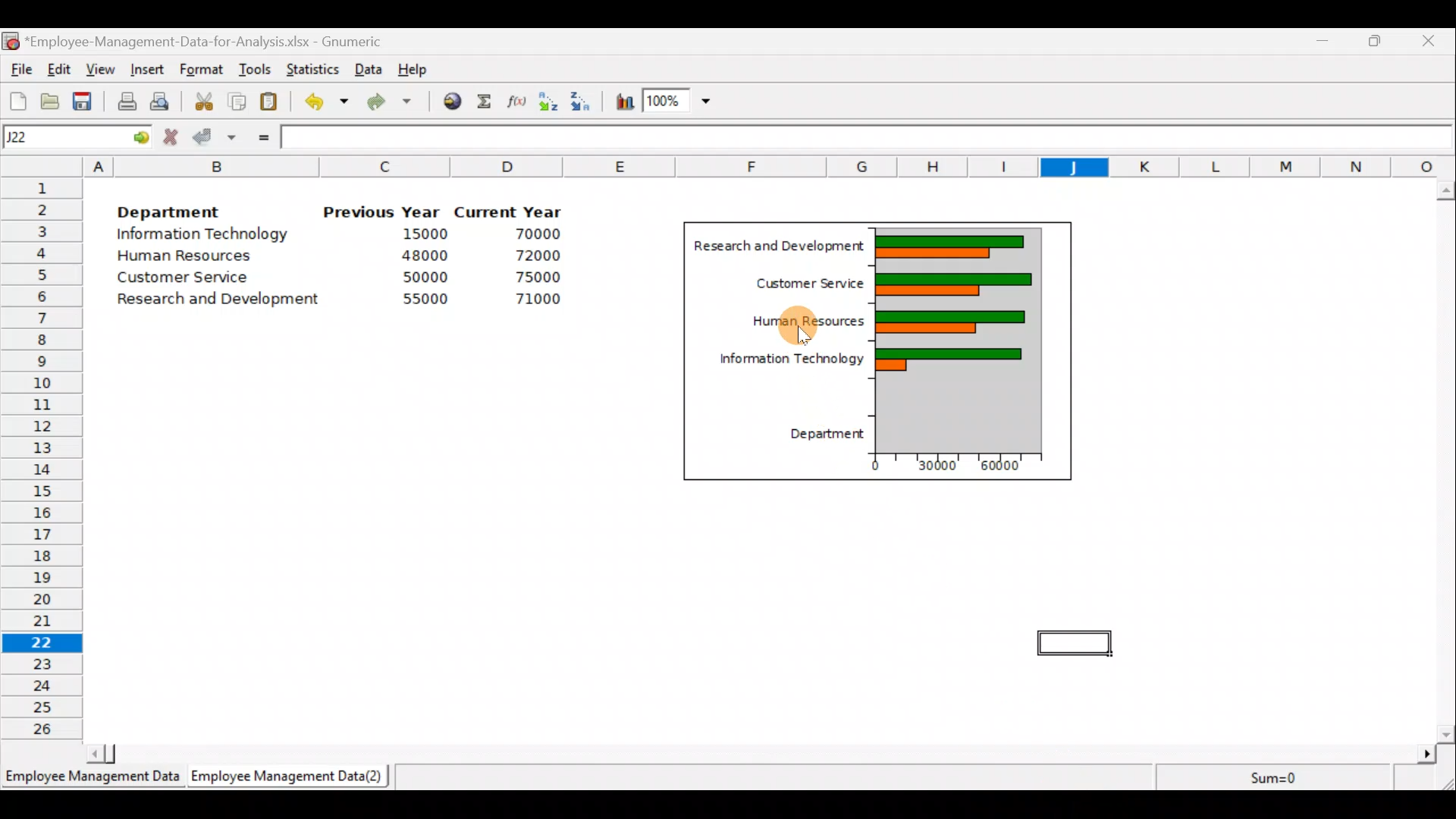  What do you see at coordinates (422, 277) in the screenshot?
I see `50000` at bounding box center [422, 277].